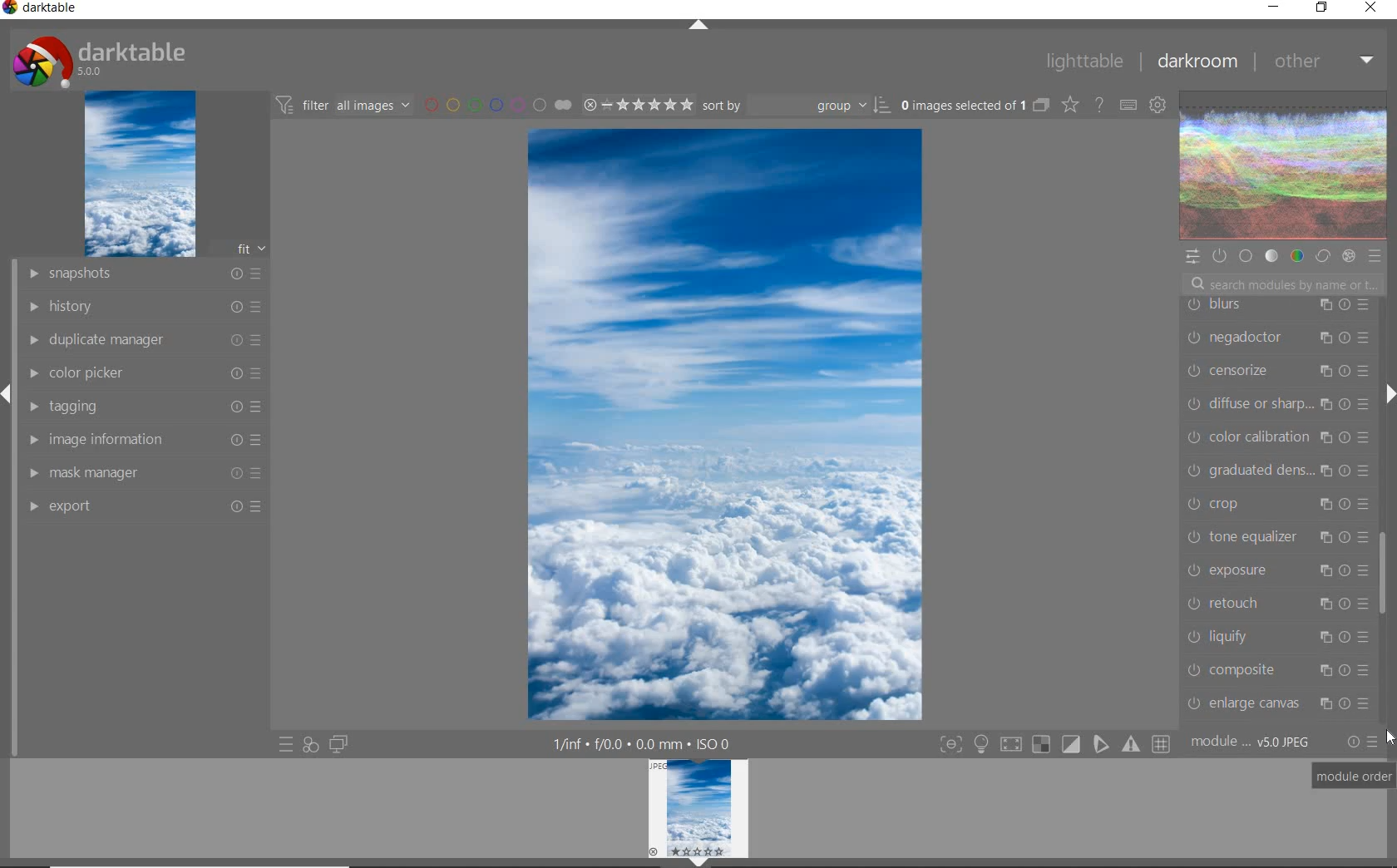 This screenshot has height=868, width=1397. What do you see at coordinates (1069, 106) in the screenshot?
I see `CHANGE TYPE OF OVERLAY` at bounding box center [1069, 106].